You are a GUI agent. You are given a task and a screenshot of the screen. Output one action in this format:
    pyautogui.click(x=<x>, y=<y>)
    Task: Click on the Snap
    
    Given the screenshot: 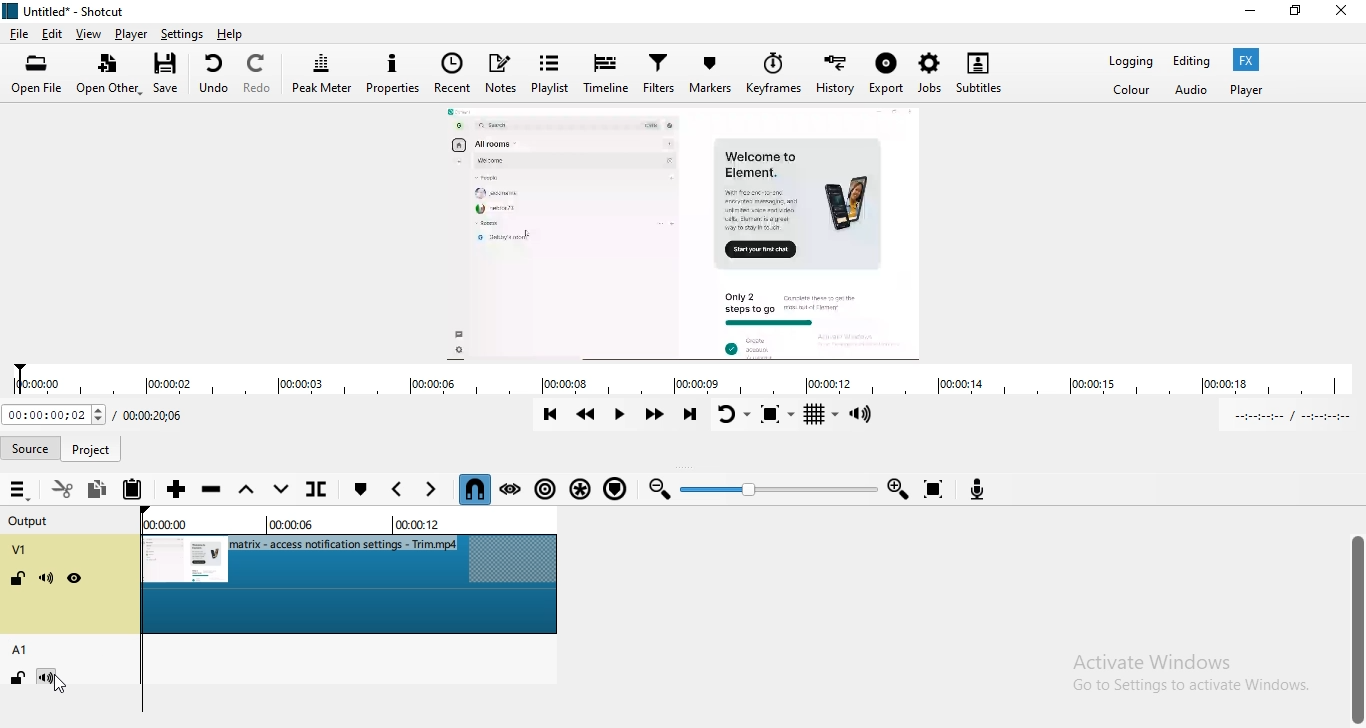 What is the action you would take?
    pyautogui.click(x=474, y=489)
    